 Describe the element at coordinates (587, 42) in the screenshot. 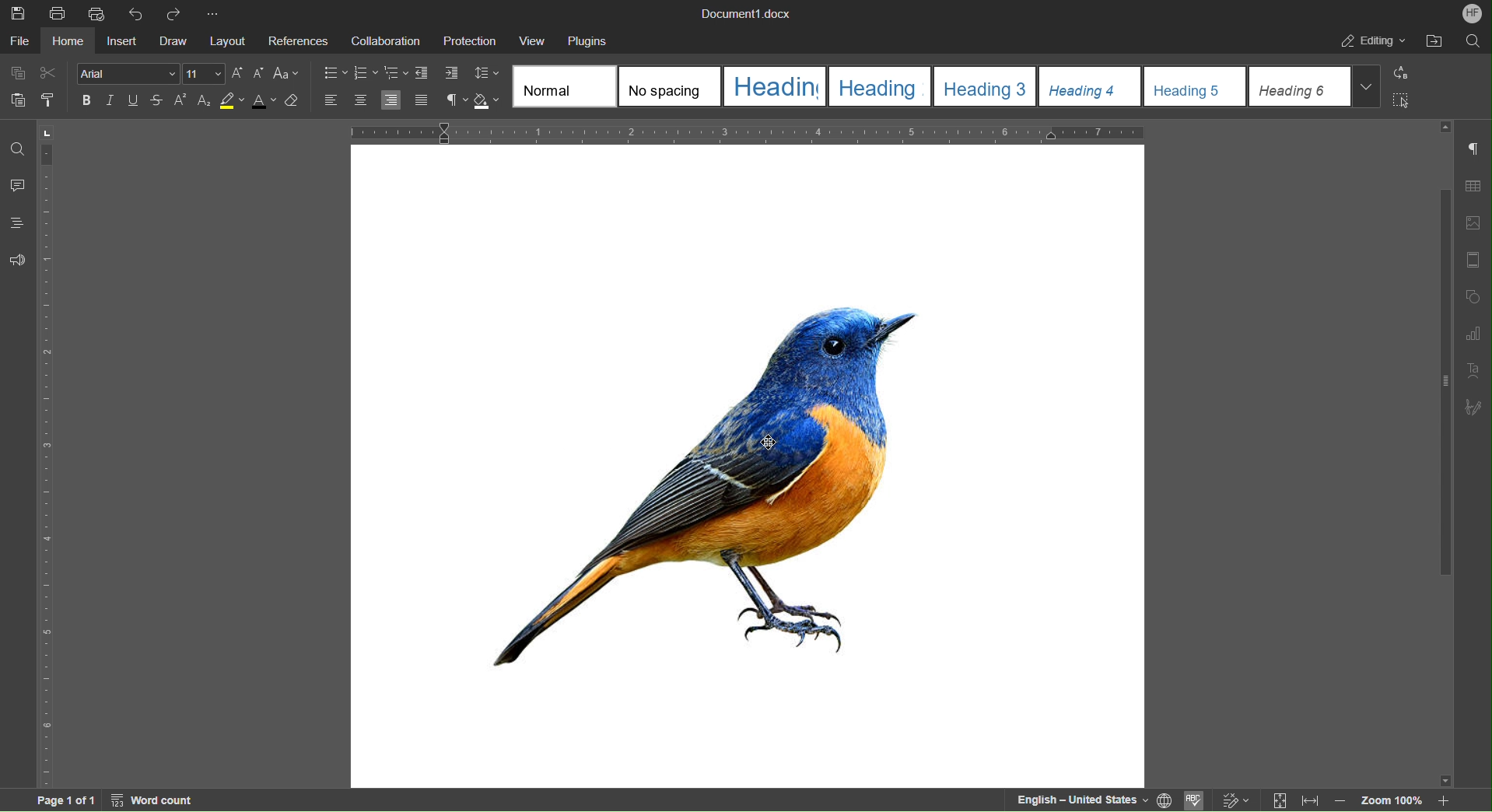

I see `Plugins` at that location.